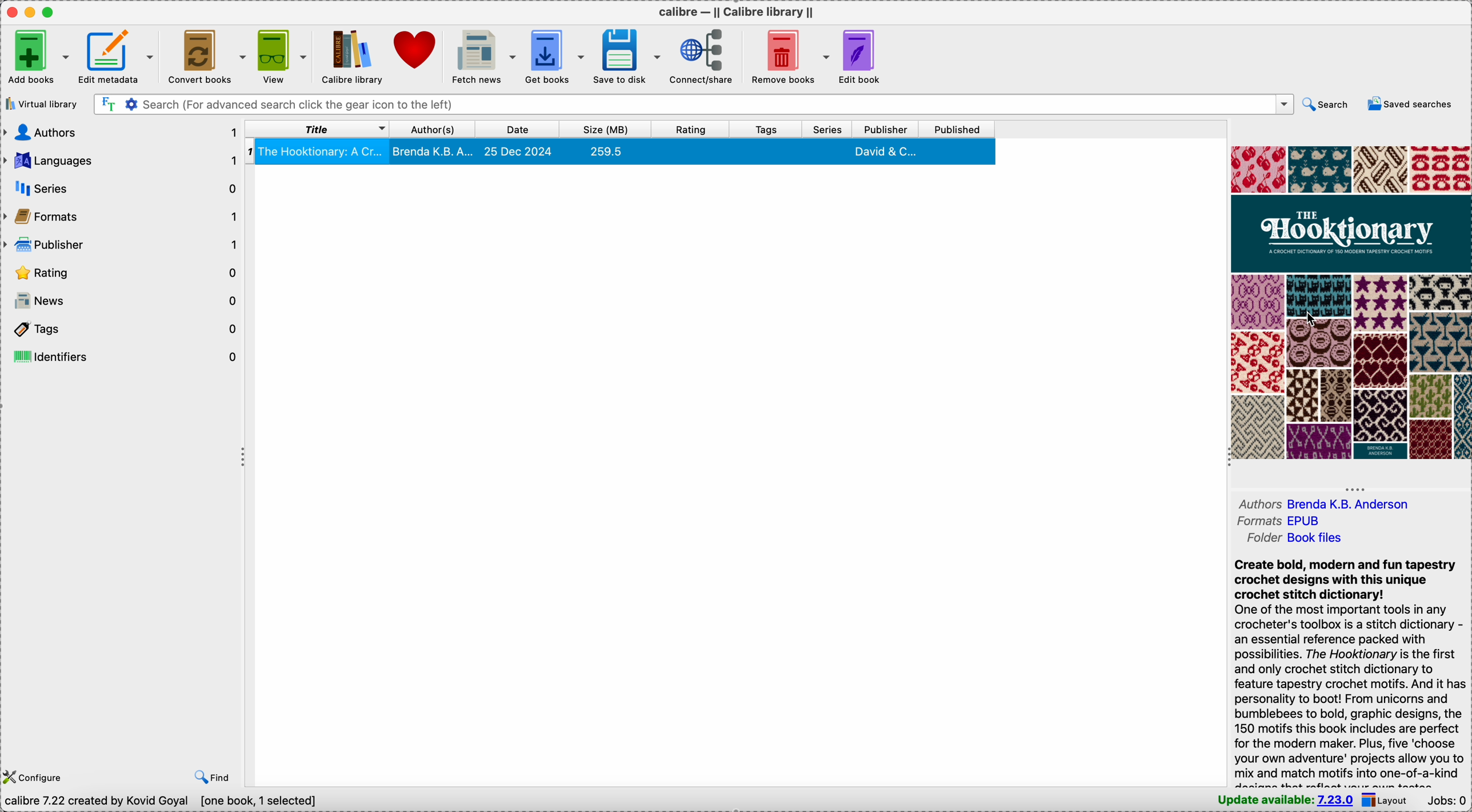 The width and height of the screenshot is (1472, 812). I want to click on Jobs: 0, so click(1447, 801).